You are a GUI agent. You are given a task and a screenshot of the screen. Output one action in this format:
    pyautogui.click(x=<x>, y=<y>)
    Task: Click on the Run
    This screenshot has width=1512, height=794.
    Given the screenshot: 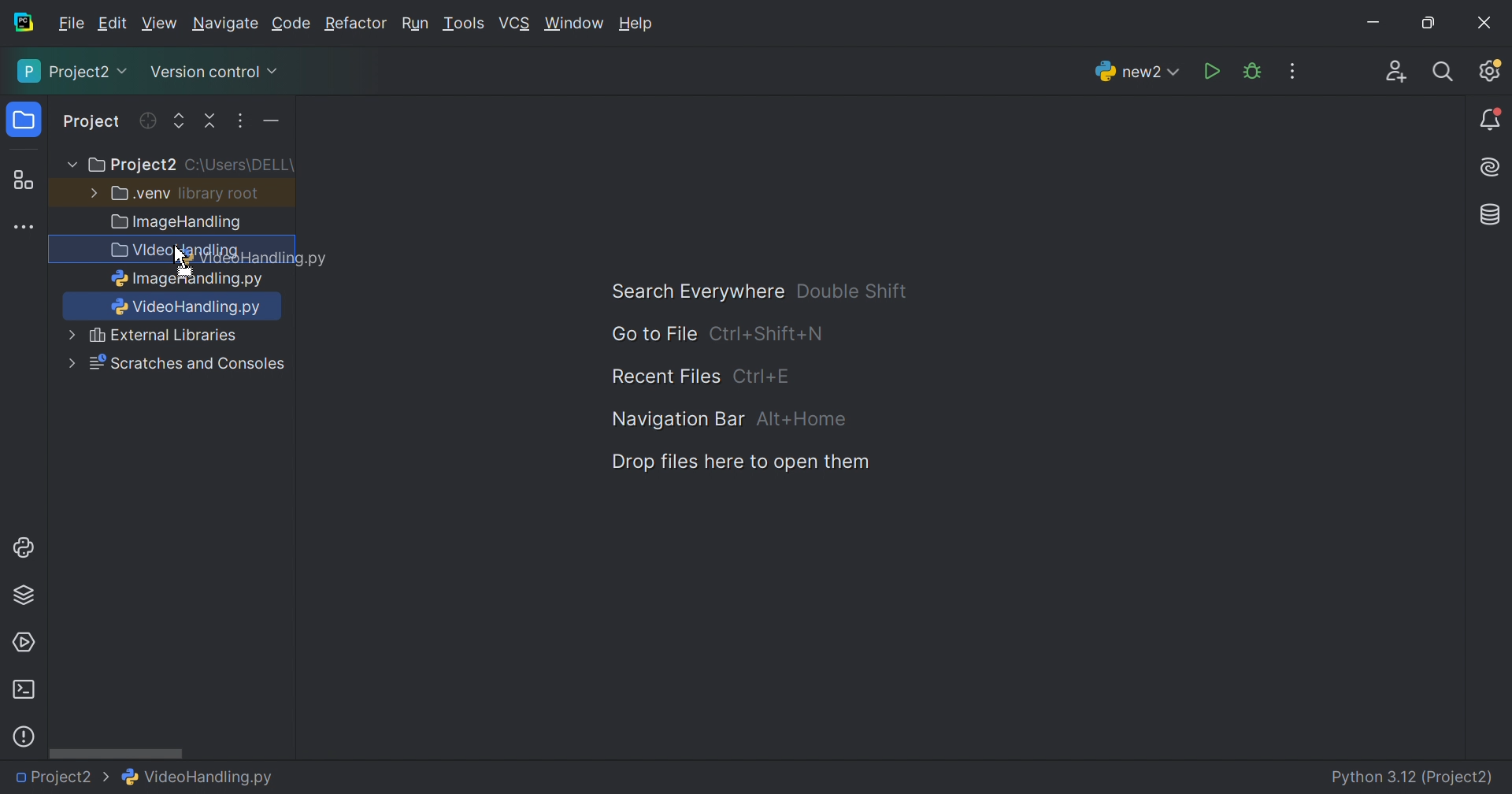 What is the action you would take?
    pyautogui.click(x=1214, y=72)
    